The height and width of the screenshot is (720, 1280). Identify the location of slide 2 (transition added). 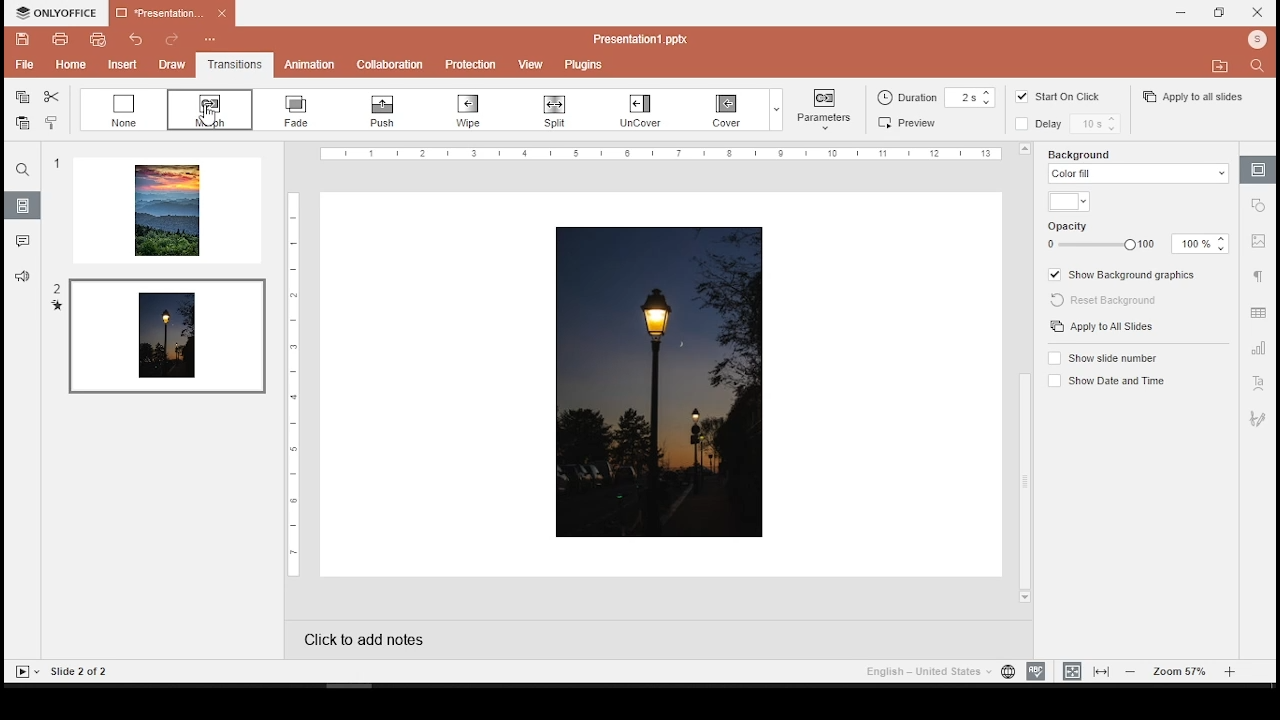
(160, 336).